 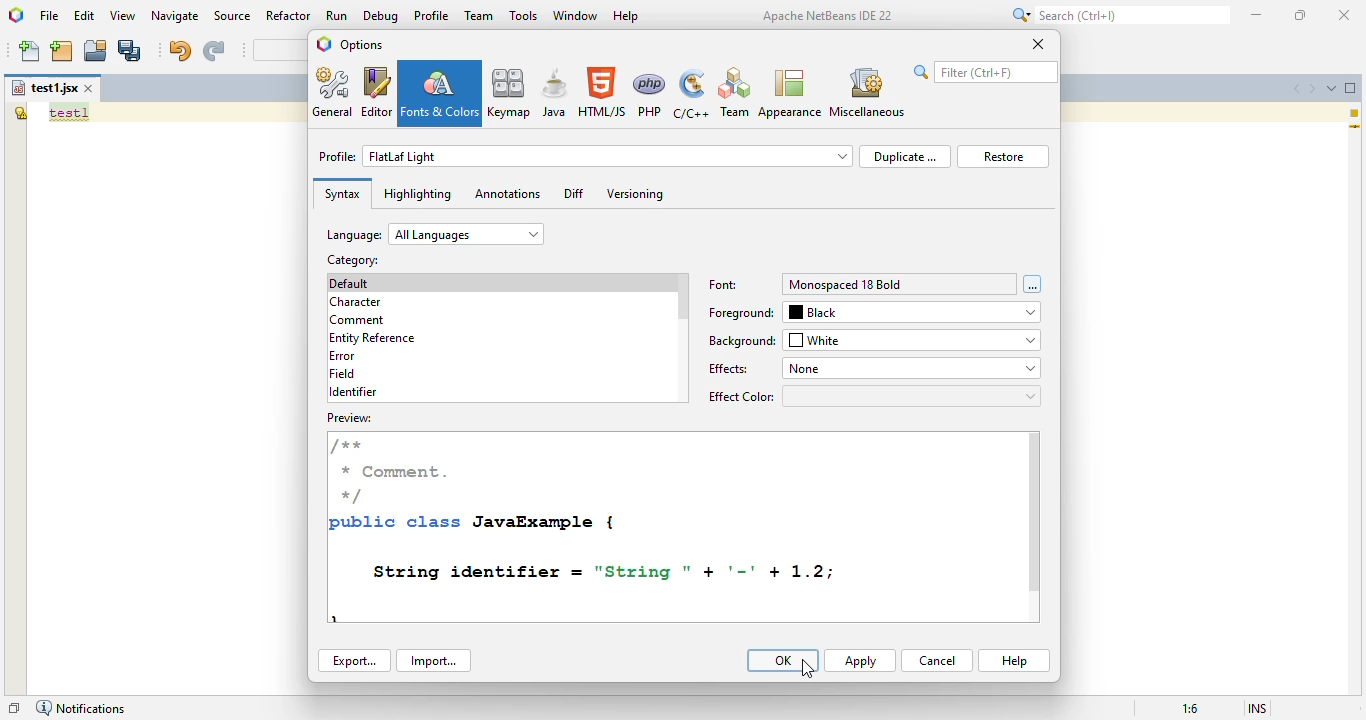 What do you see at coordinates (417, 194) in the screenshot?
I see `highlighting` at bounding box center [417, 194].